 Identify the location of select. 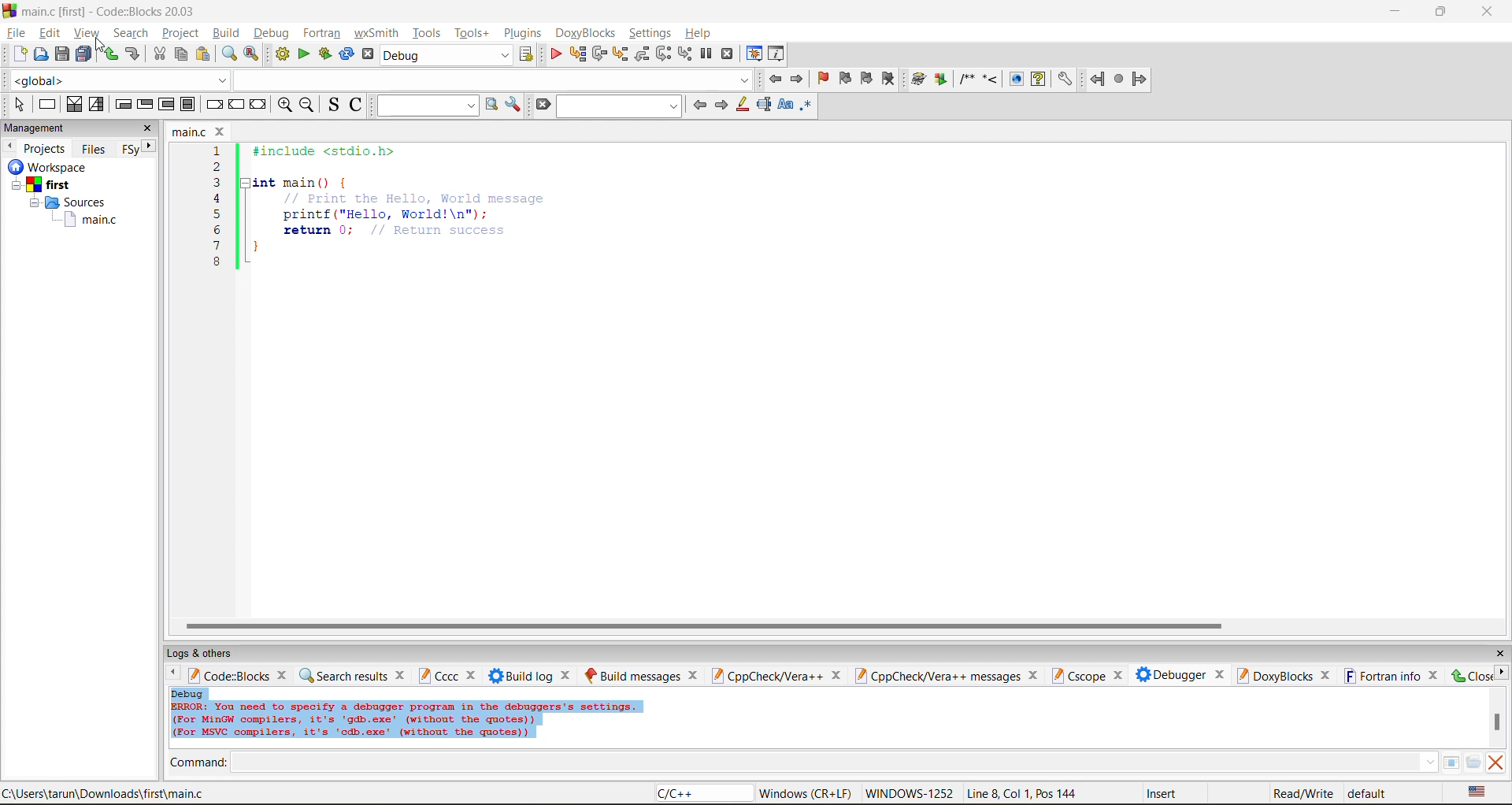
(13, 104).